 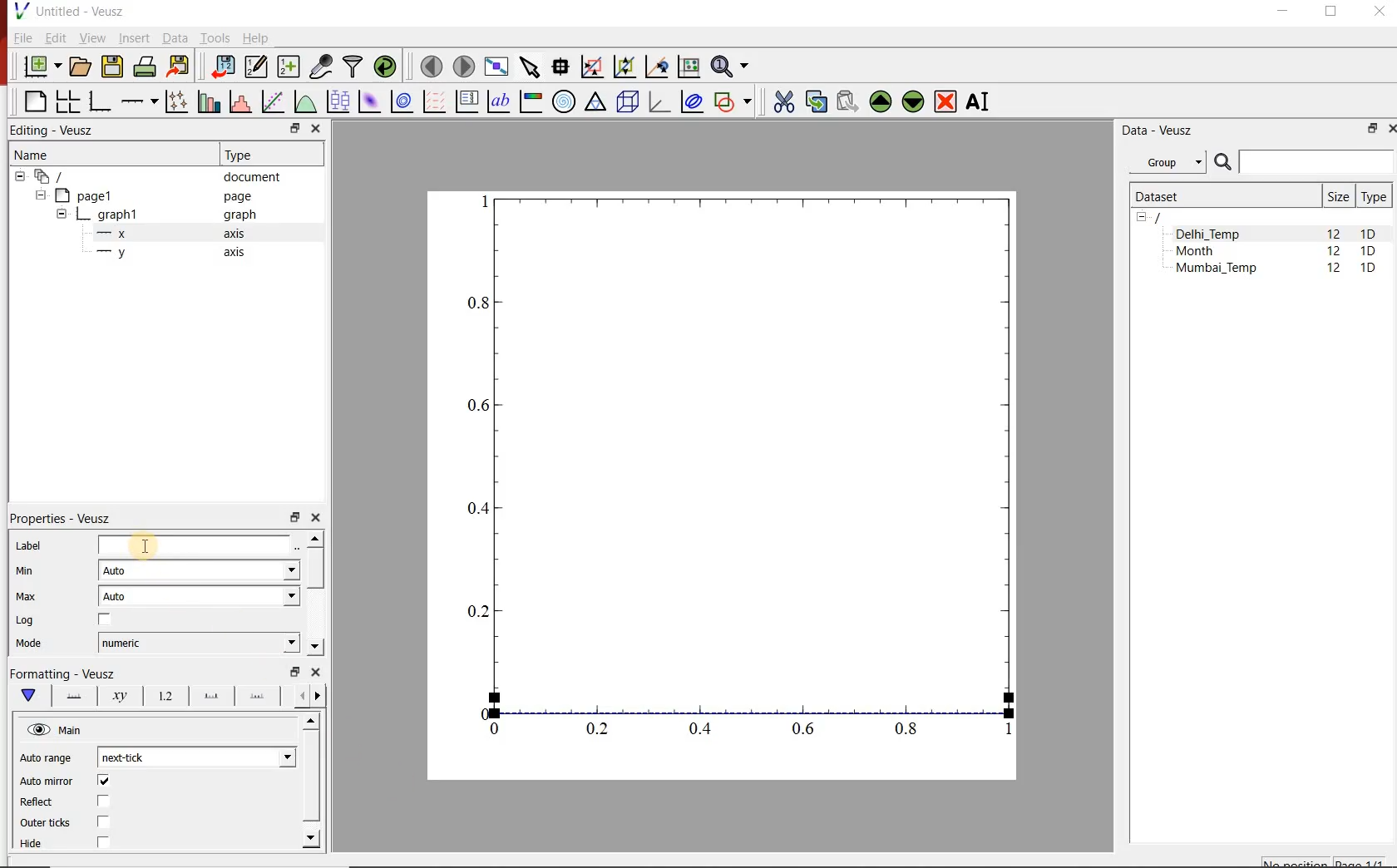 What do you see at coordinates (560, 67) in the screenshot?
I see `read data points on the graph` at bounding box center [560, 67].